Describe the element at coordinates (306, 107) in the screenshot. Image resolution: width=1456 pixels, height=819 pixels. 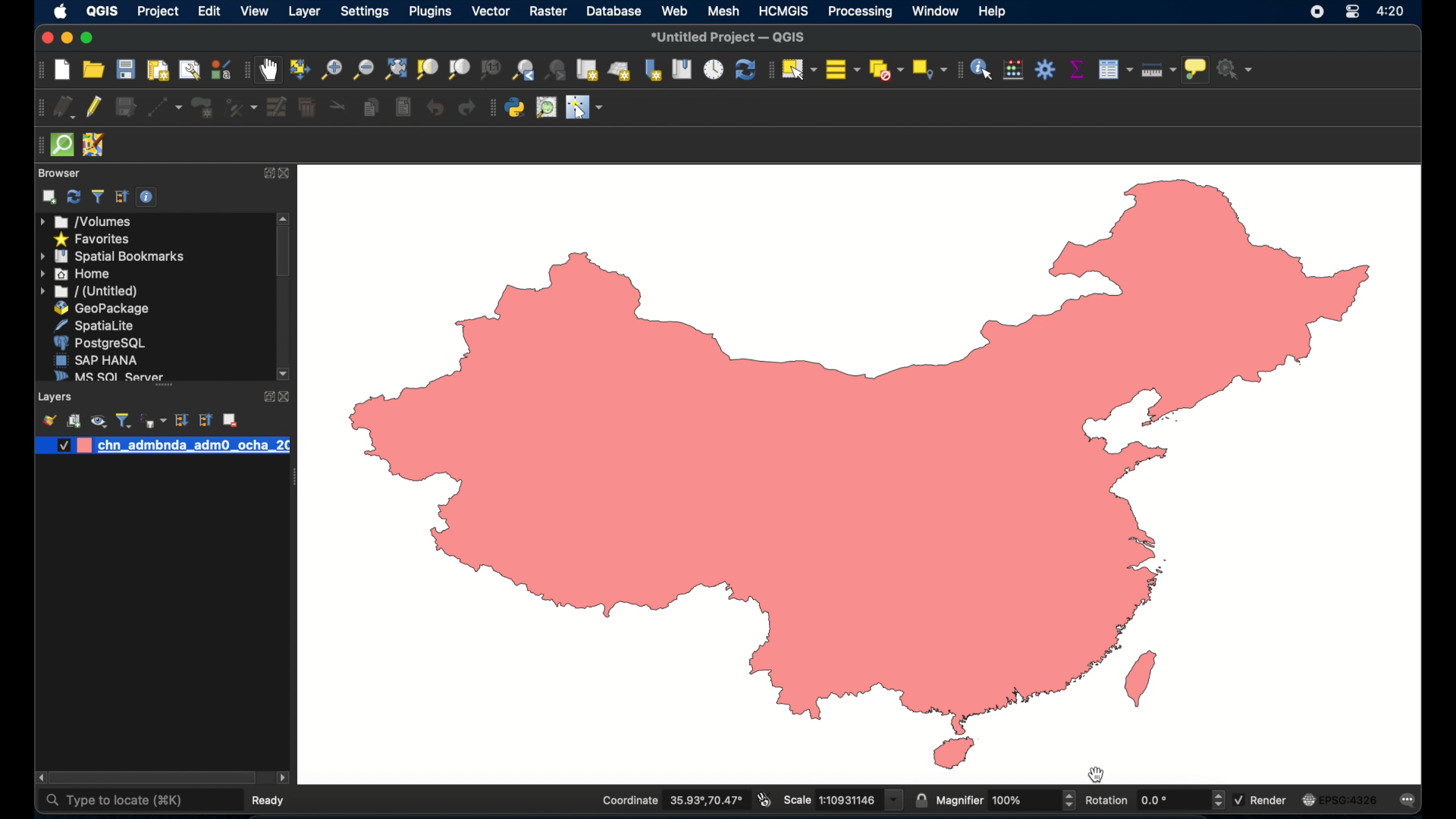
I see `delete selected` at that location.